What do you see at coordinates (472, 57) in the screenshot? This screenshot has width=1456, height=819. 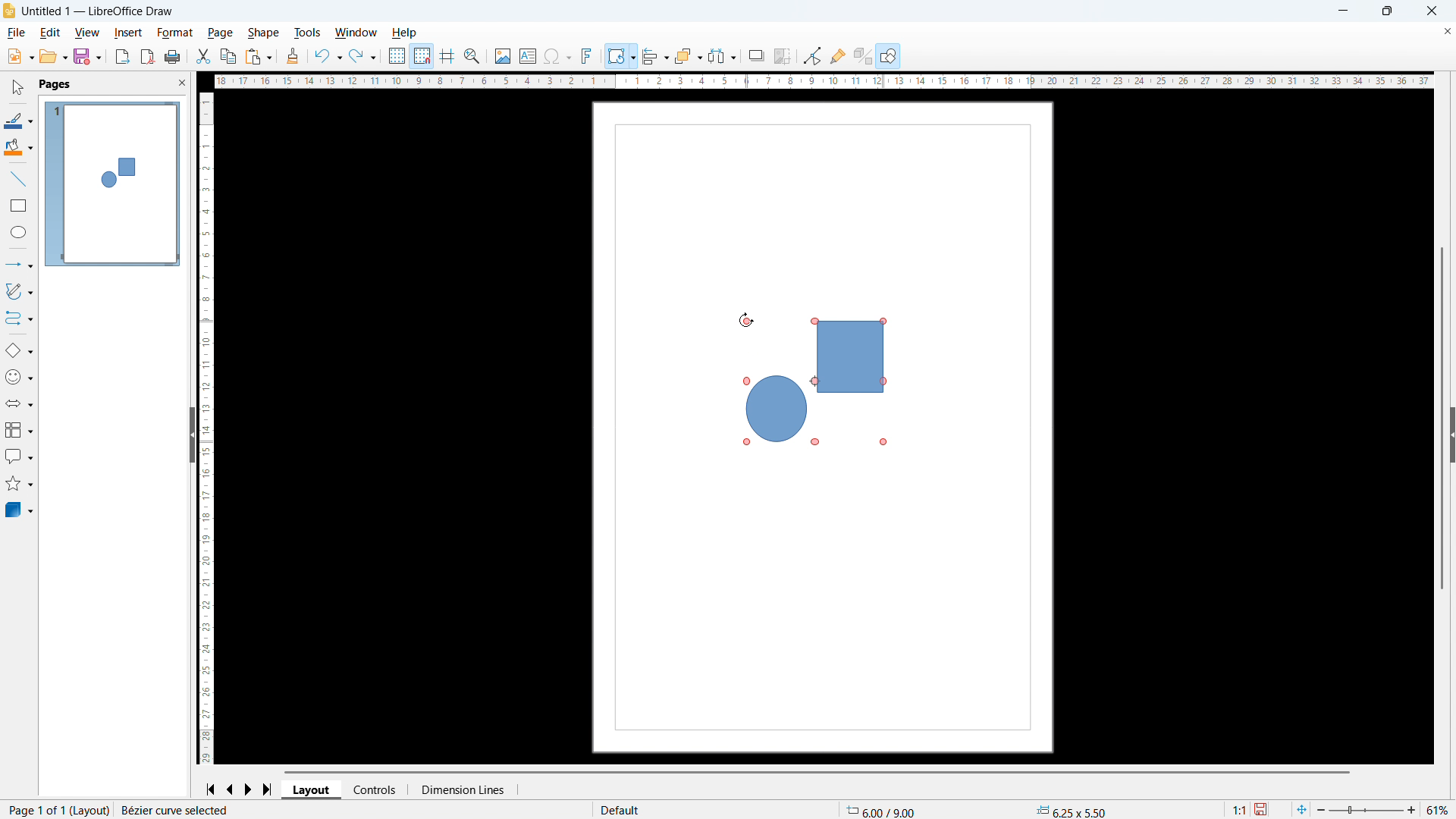 I see `Zoom ` at bounding box center [472, 57].